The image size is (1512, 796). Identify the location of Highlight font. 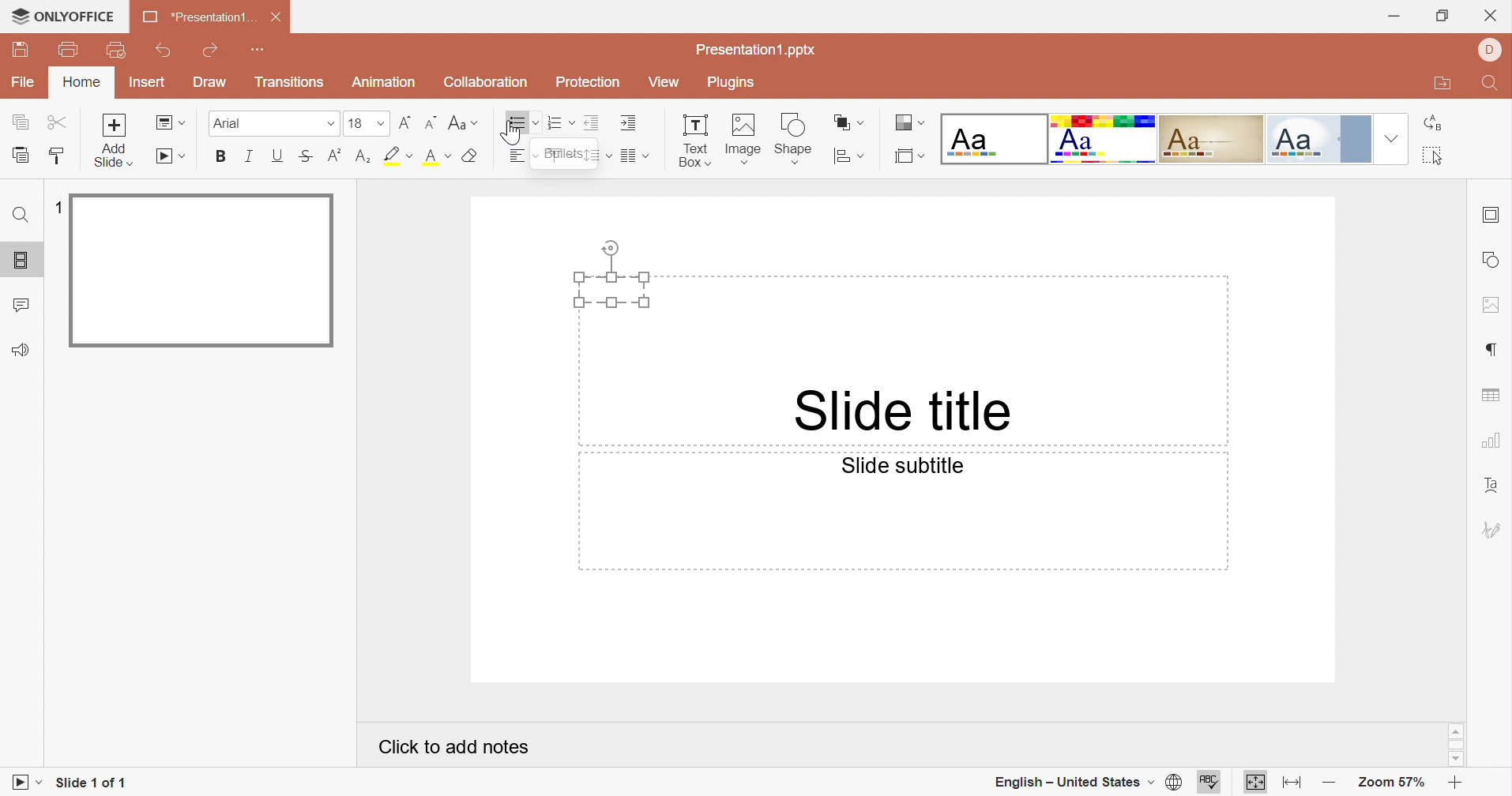
(399, 156).